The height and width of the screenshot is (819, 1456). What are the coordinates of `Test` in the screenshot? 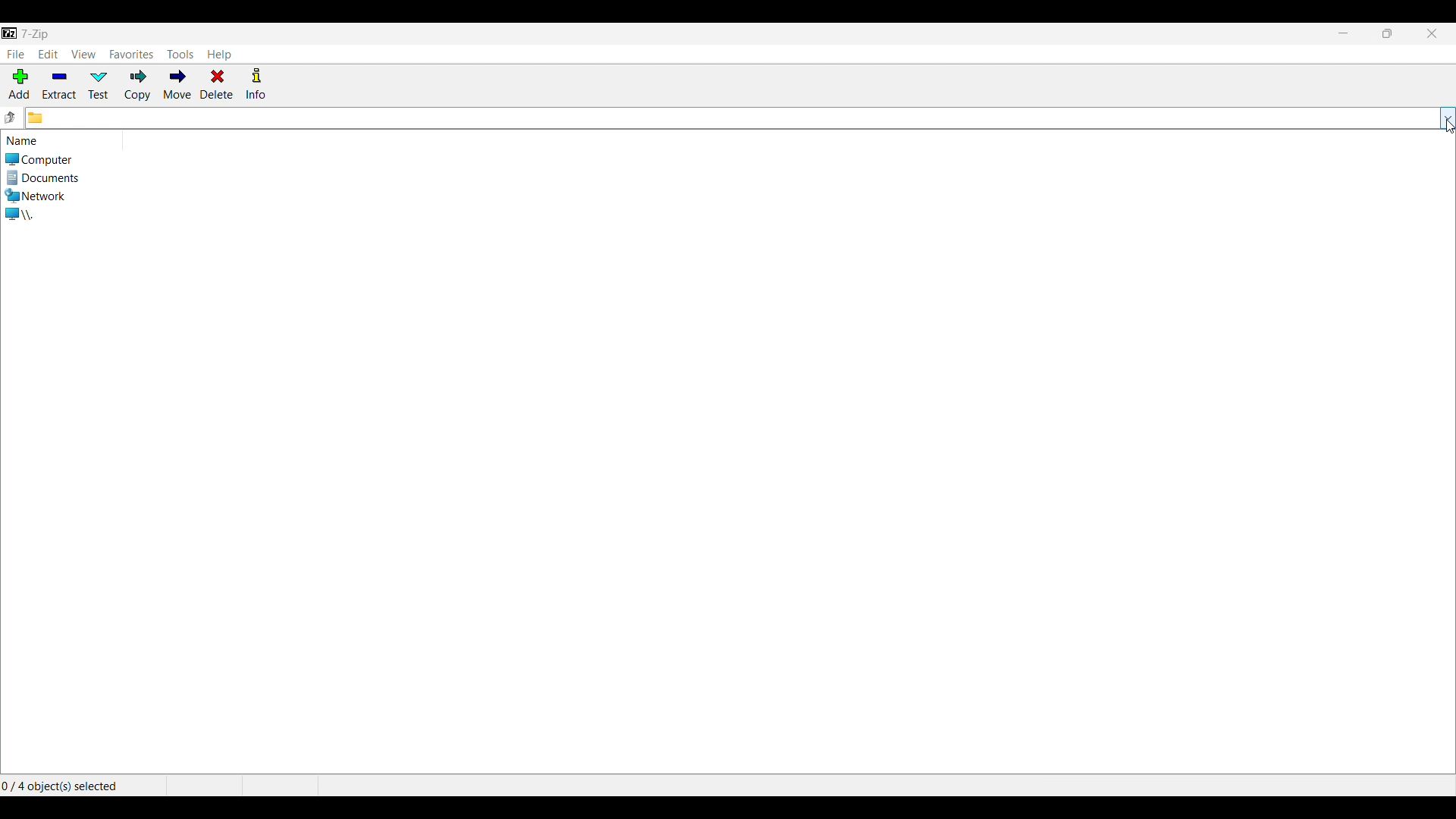 It's located at (99, 85).